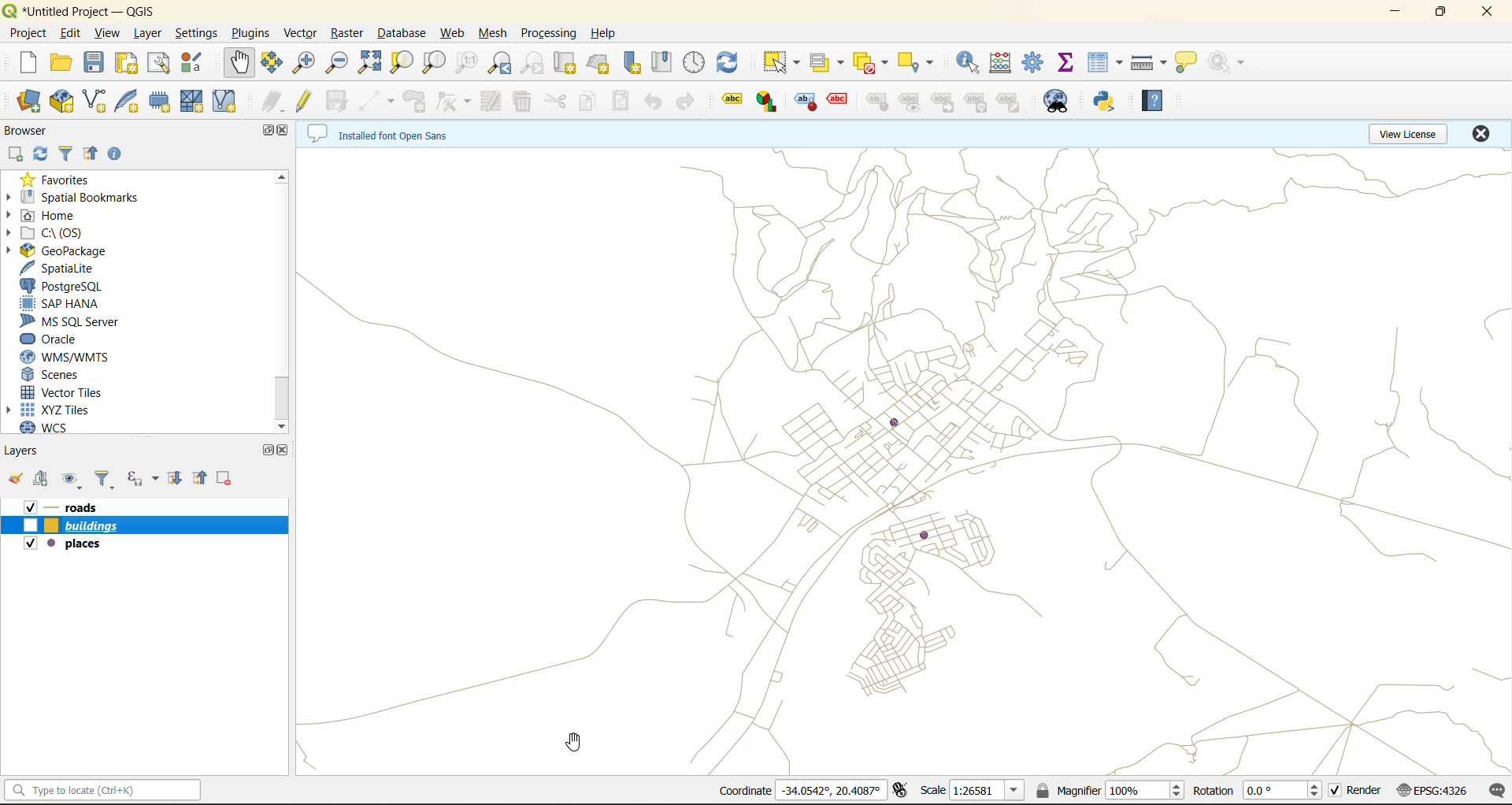 The height and width of the screenshot is (805, 1512). I want to click on maximize, so click(265, 131).